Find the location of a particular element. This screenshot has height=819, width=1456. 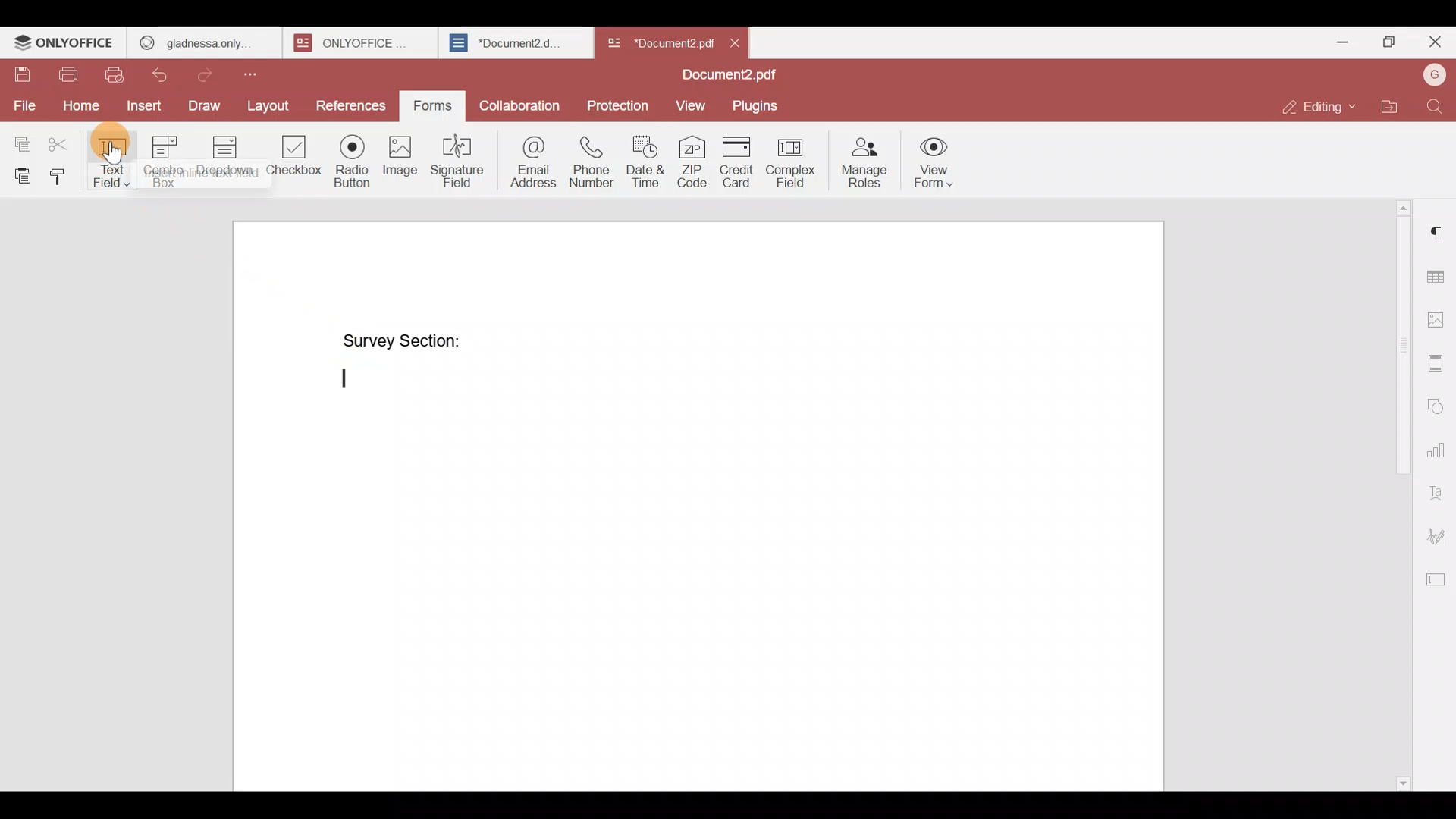

Quick print is located at coordinates (120, 75).